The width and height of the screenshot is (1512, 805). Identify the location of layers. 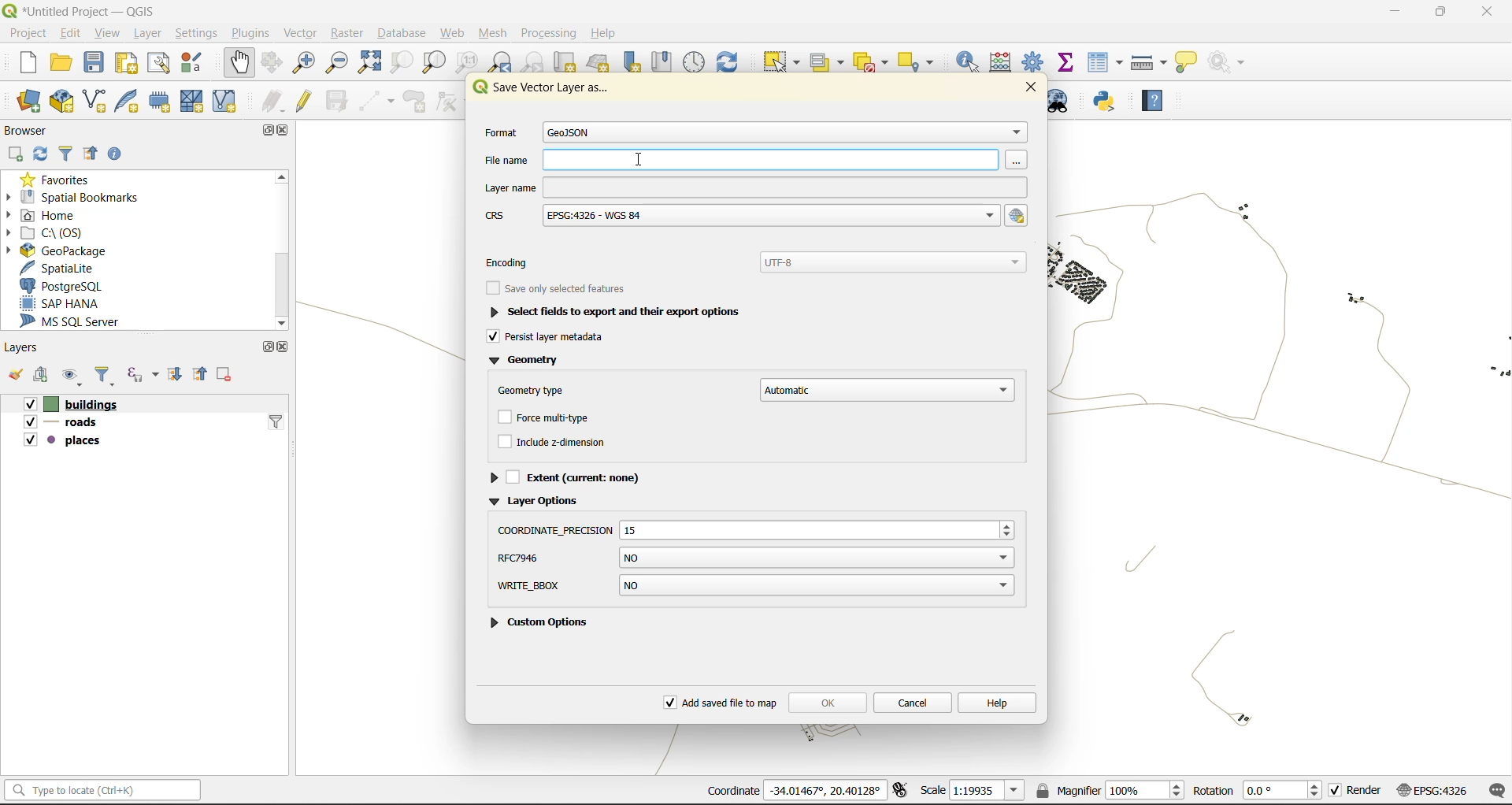
(22, 347).